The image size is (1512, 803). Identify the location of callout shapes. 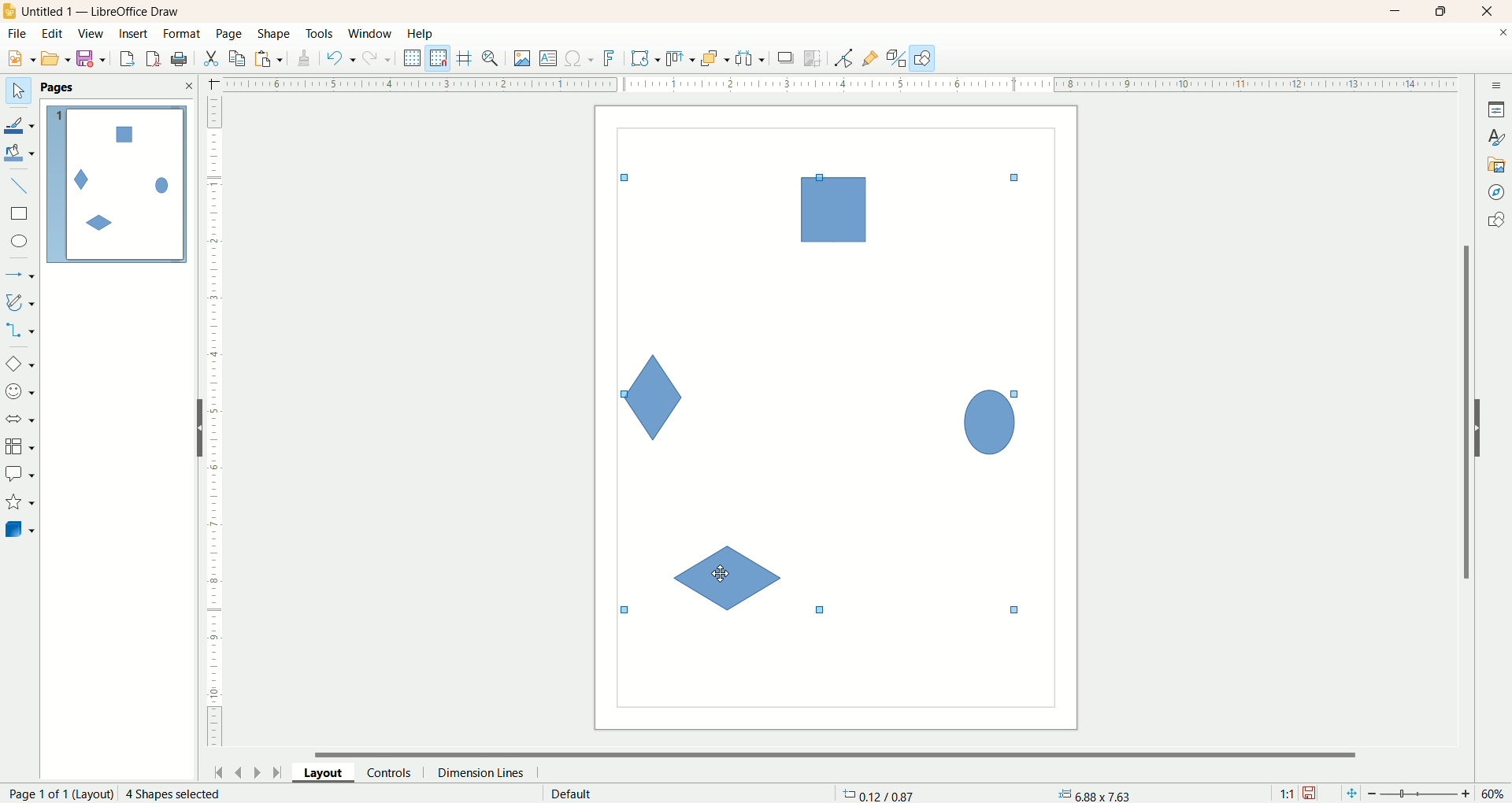
(20, 475).